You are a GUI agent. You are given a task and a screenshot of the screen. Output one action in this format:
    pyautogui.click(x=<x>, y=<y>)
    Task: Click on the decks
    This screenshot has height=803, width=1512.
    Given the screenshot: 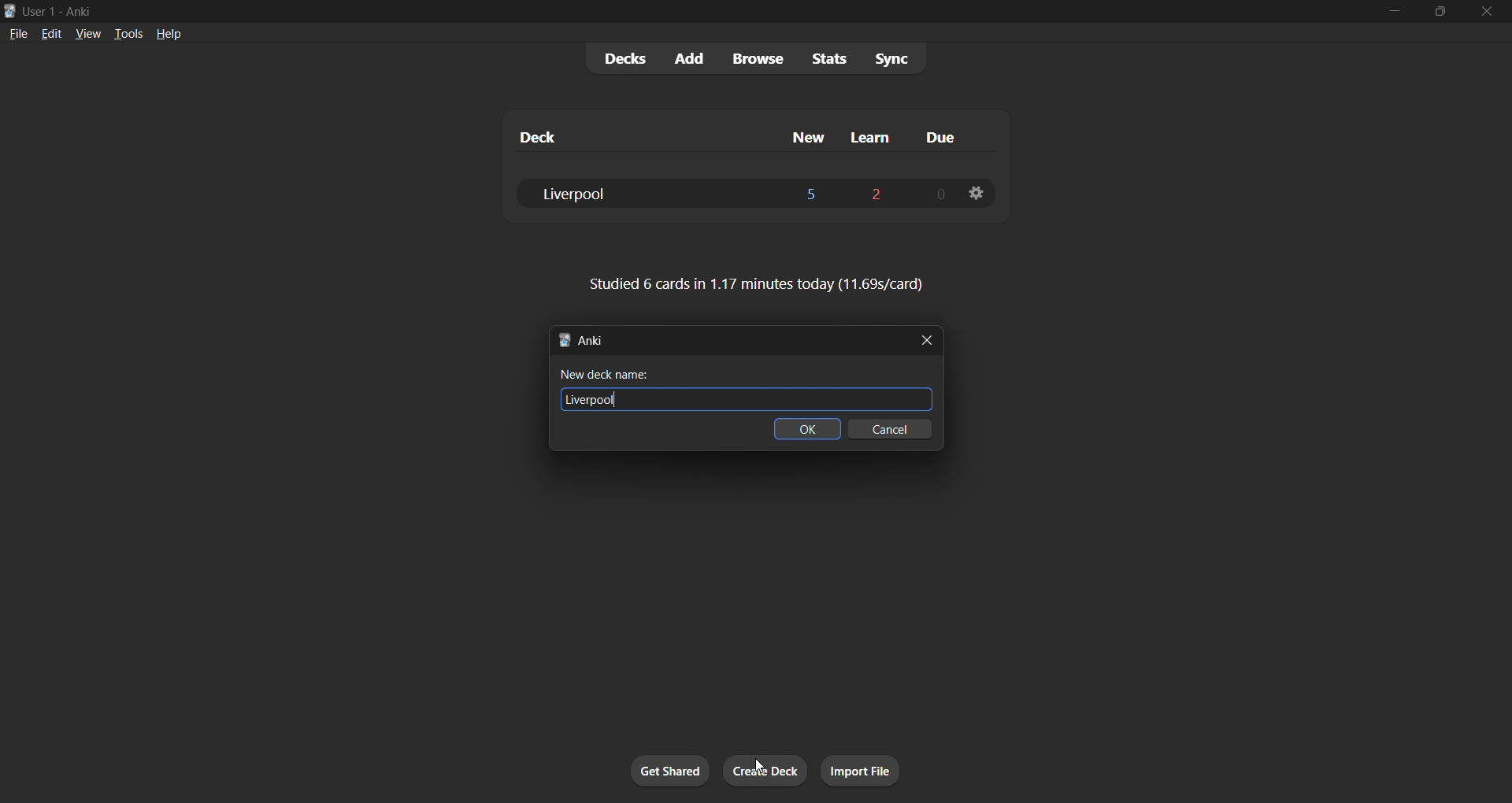 What is the action you would take?
    pyautogui.click(x=618, y=60)
    